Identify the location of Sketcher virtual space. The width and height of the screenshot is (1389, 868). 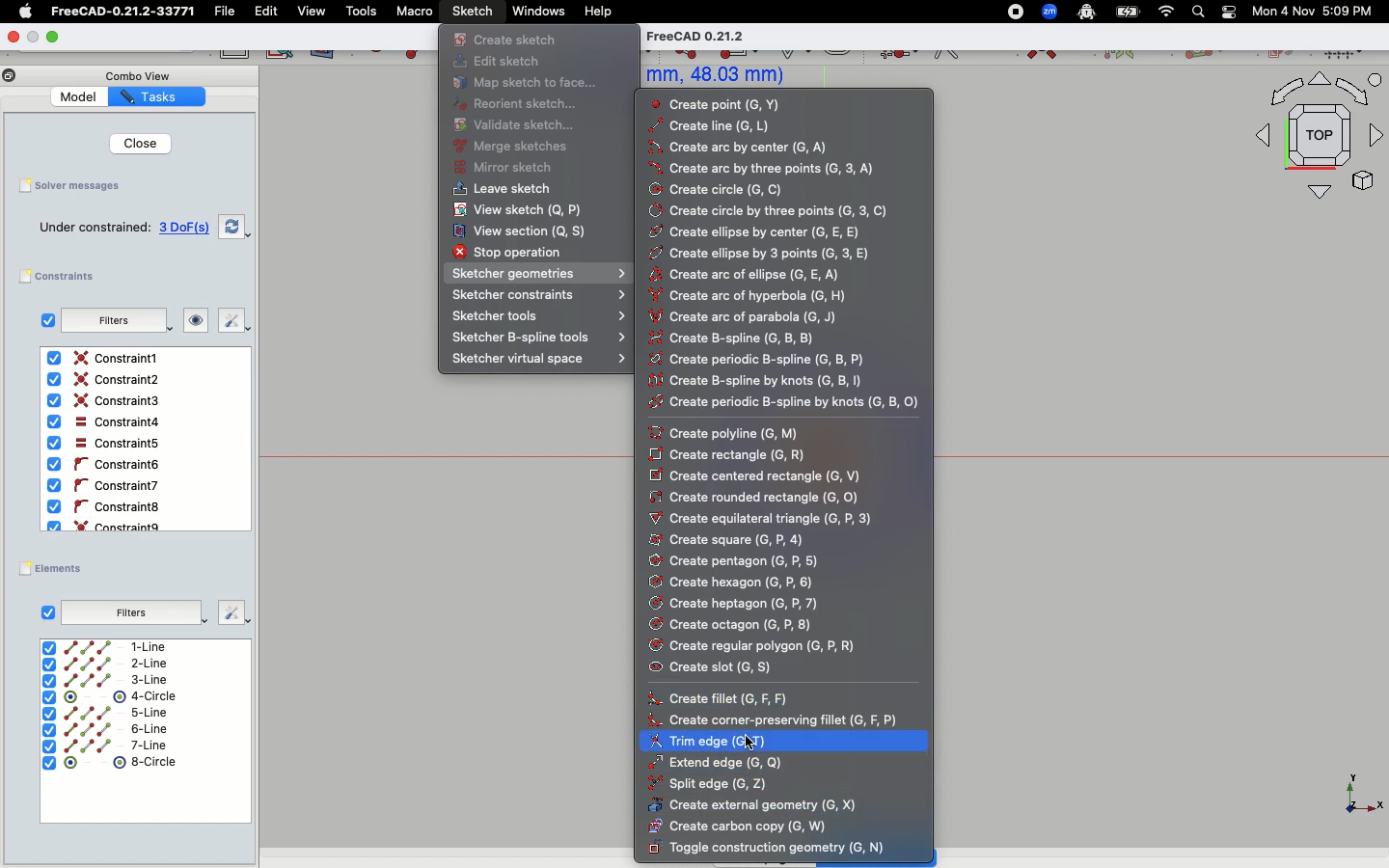
(538, 359).